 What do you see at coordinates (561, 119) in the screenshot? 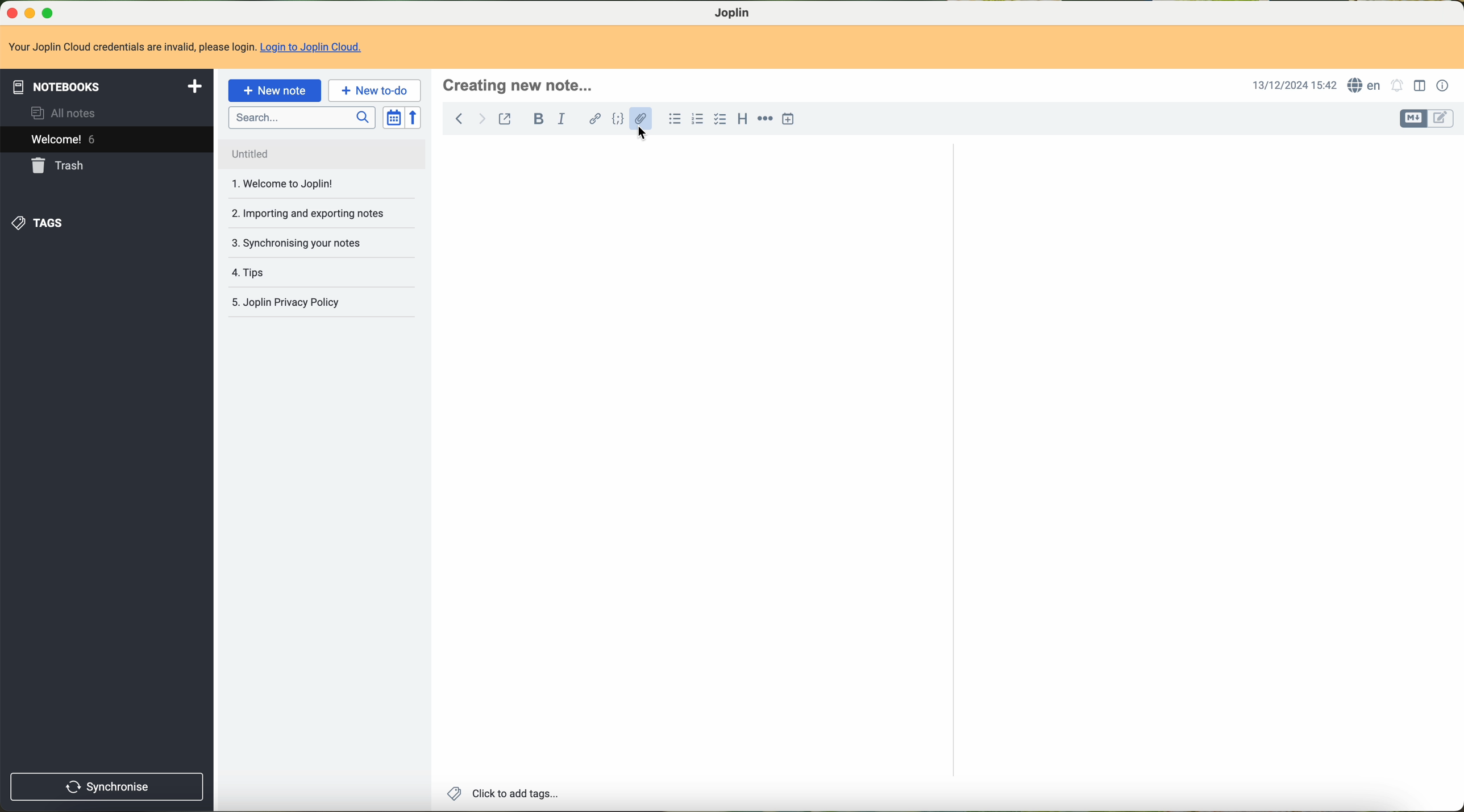
I see `italic` at bounding box center [561, 119].